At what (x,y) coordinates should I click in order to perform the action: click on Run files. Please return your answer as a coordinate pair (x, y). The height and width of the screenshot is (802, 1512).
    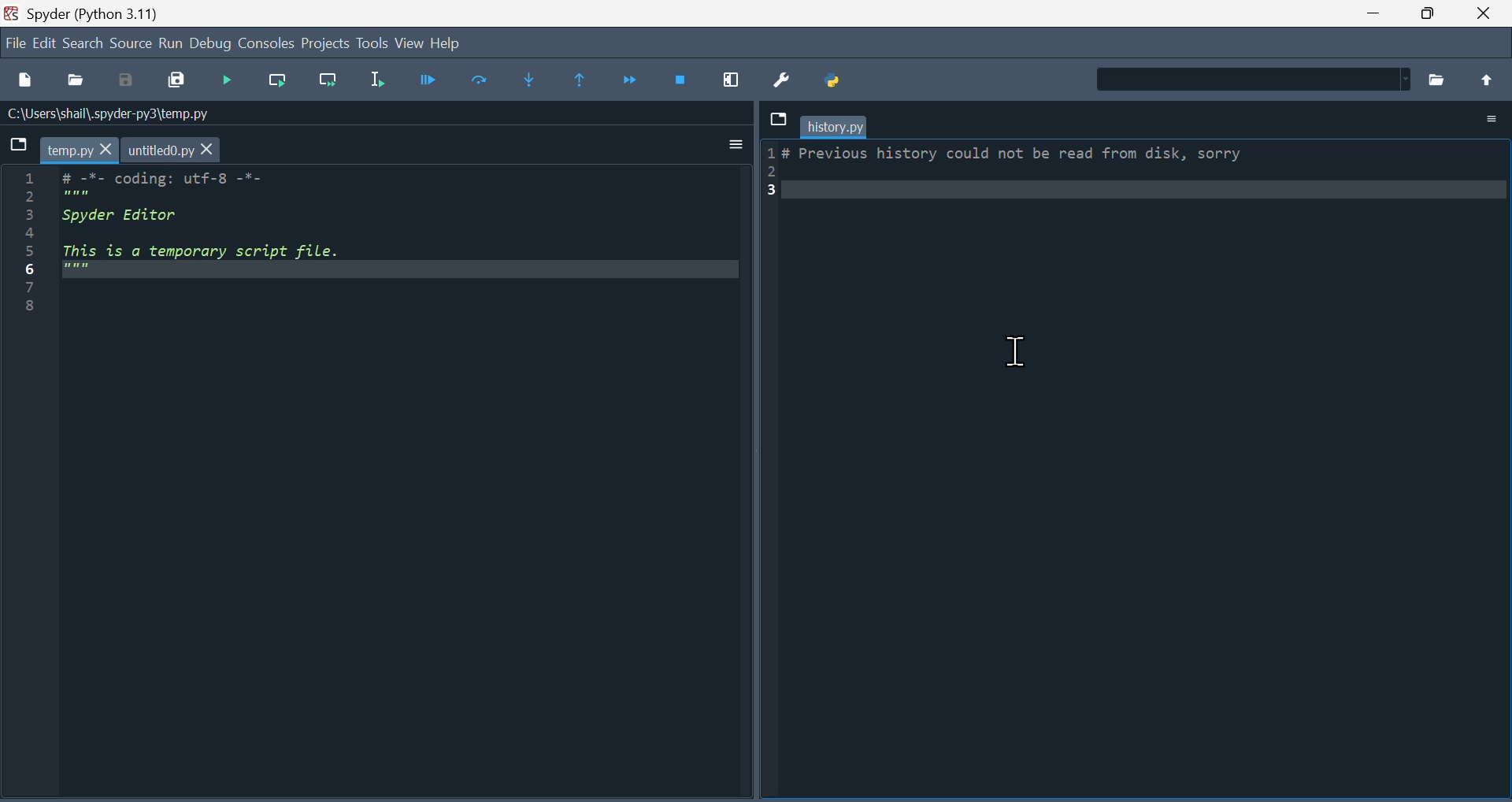
    Looking at the image, I should click on (232, 80).